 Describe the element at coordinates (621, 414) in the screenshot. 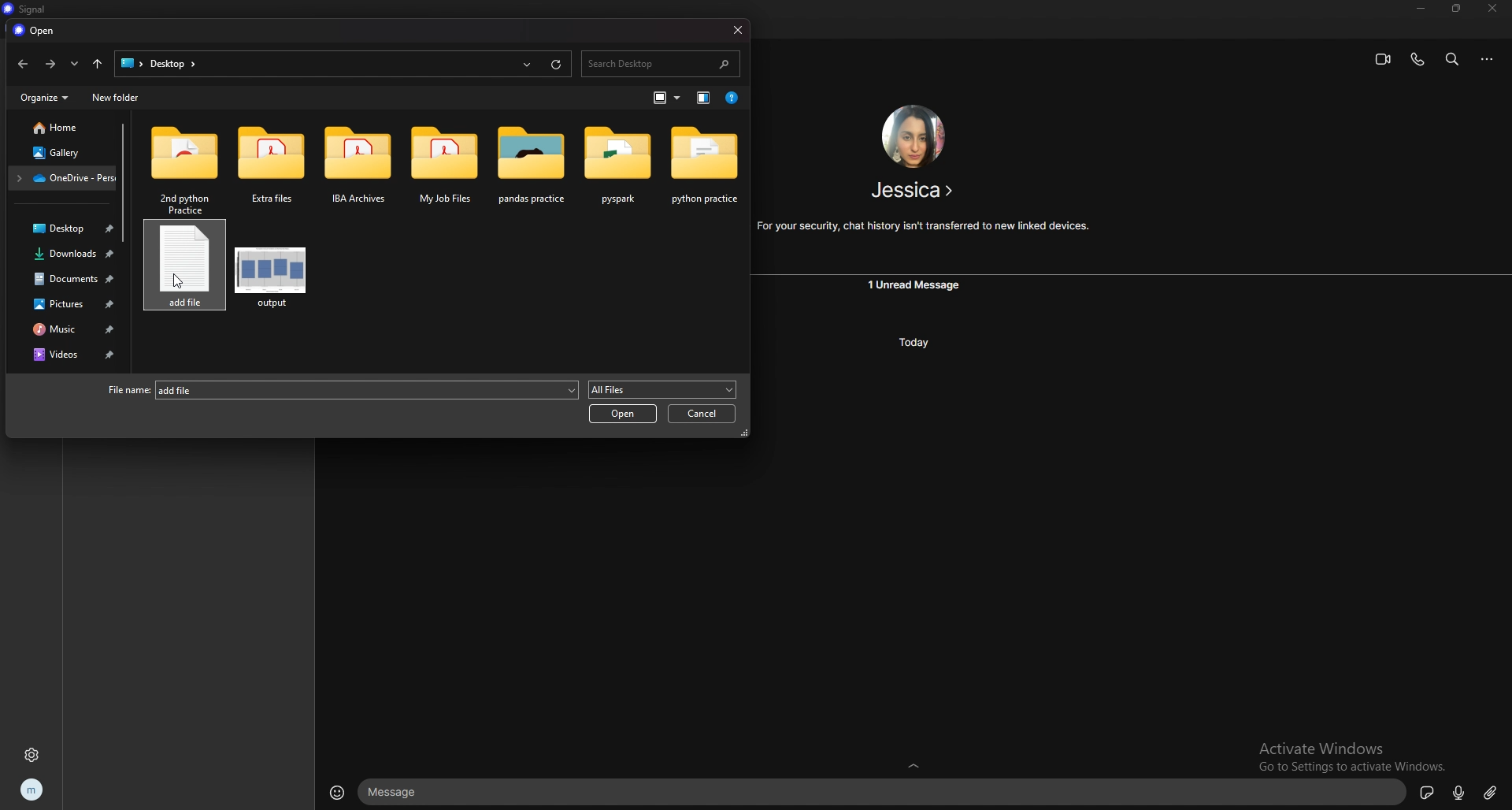

I see `open` at that location.